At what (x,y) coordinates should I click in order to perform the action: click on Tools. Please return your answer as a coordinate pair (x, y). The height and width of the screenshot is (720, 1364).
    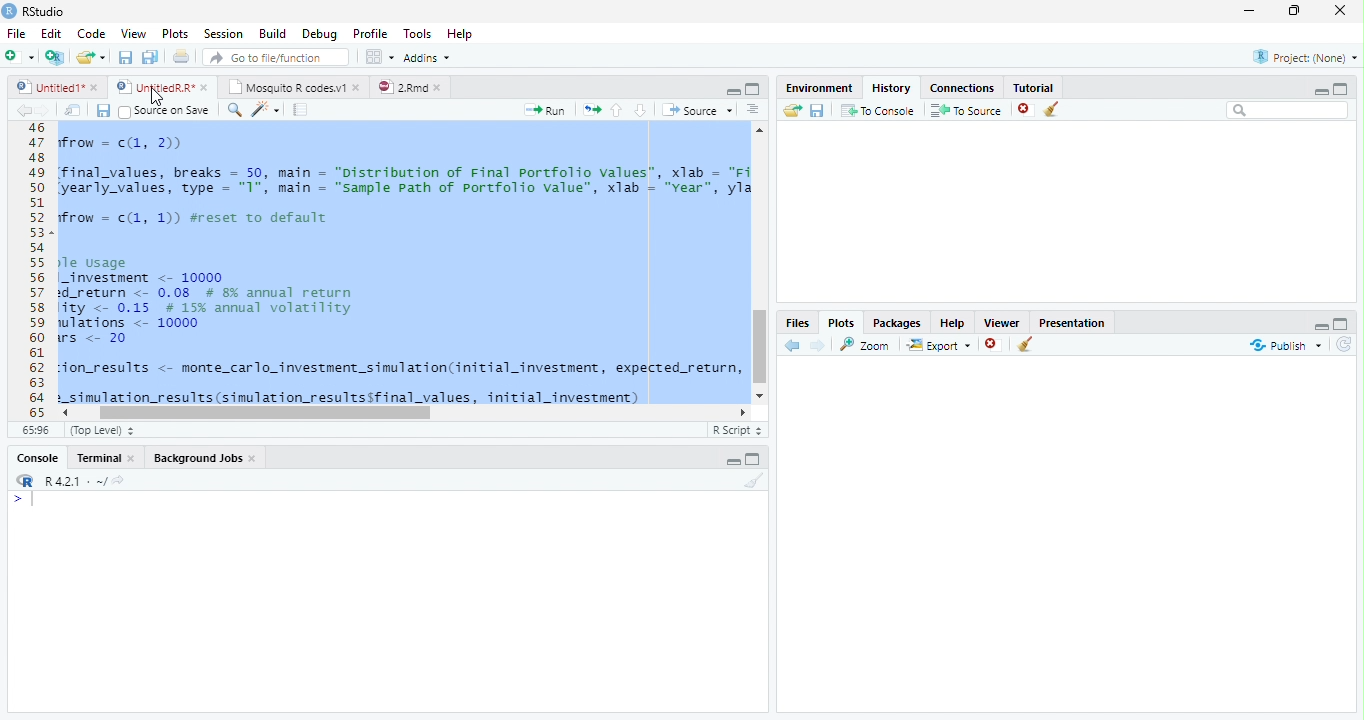
    Looking at the image, I should click on (416, 34).